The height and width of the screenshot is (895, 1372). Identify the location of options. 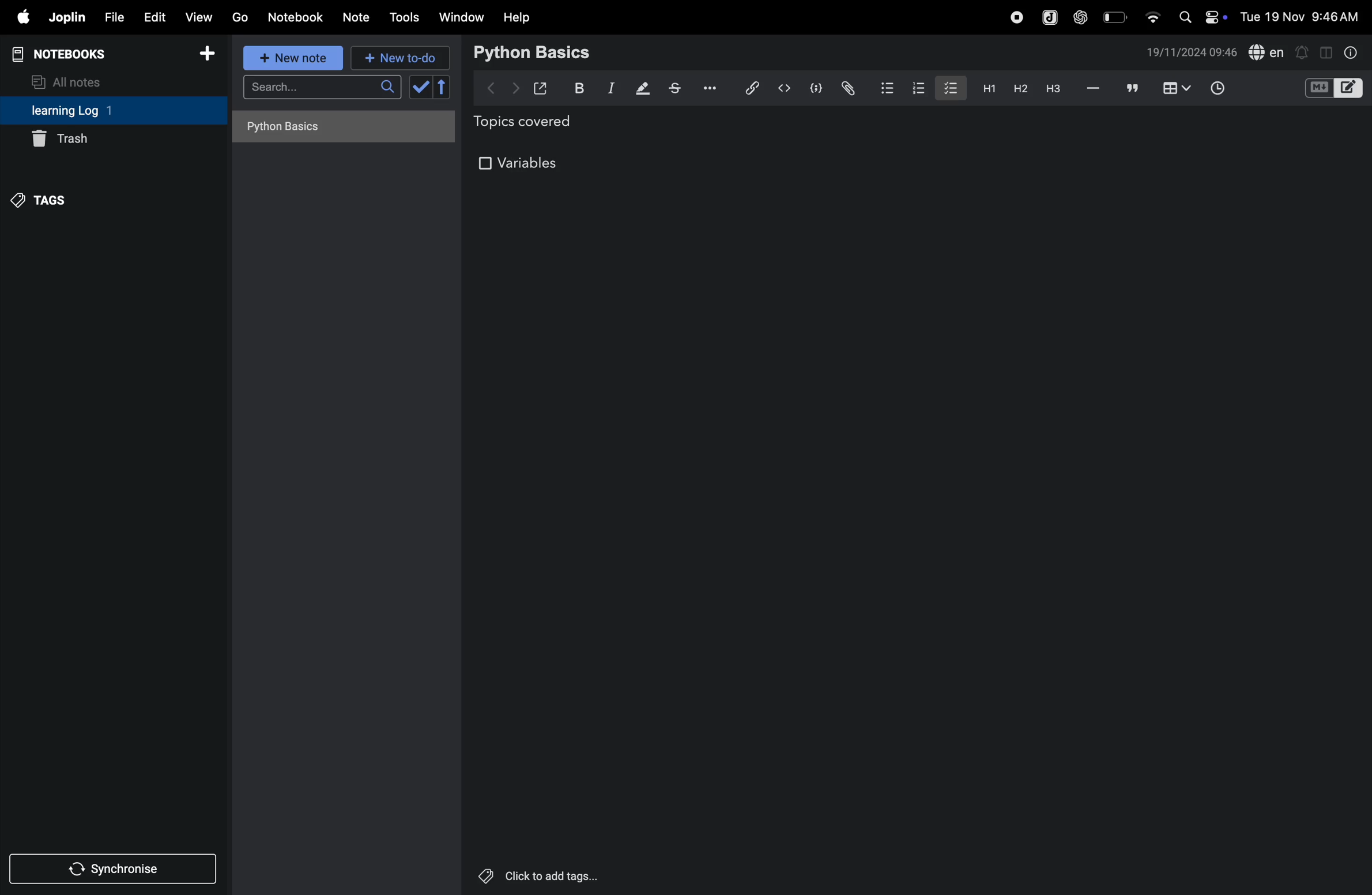
(707, 87).